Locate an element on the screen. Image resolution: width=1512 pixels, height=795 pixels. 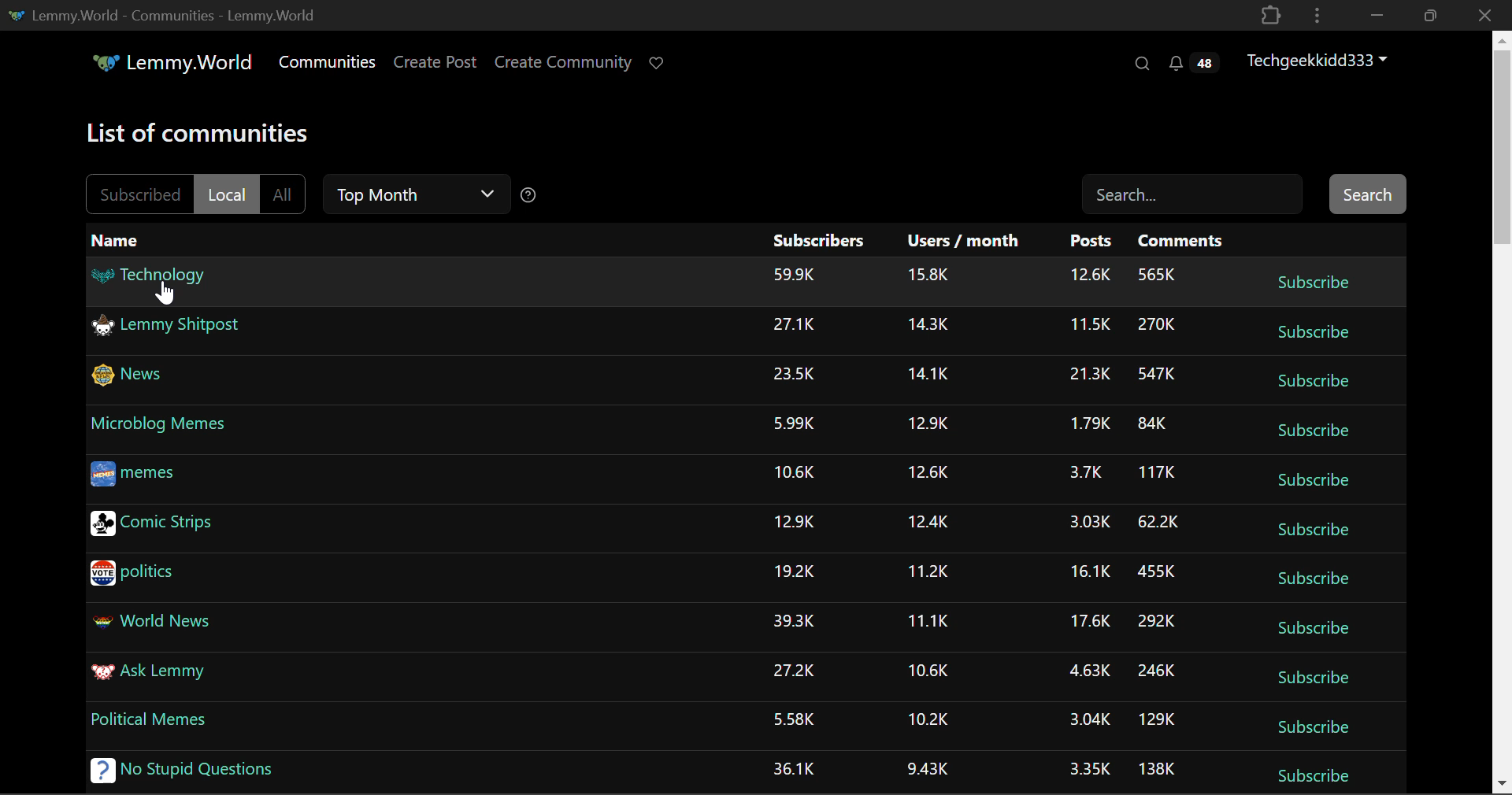
Ask Lemmy is located at coordinates (146, 675).